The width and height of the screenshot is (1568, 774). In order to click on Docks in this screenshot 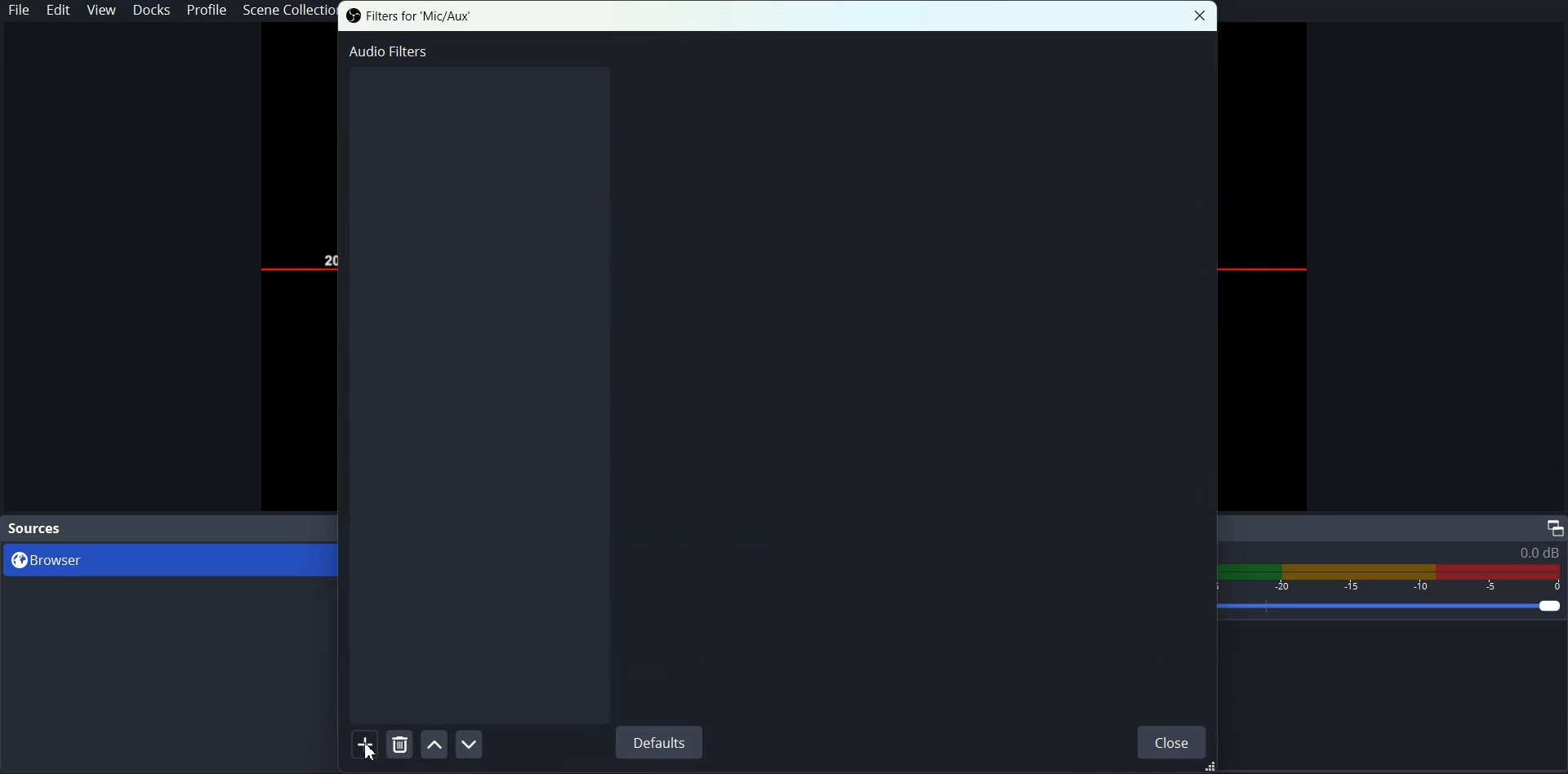, I will do `click(154, 11)`.